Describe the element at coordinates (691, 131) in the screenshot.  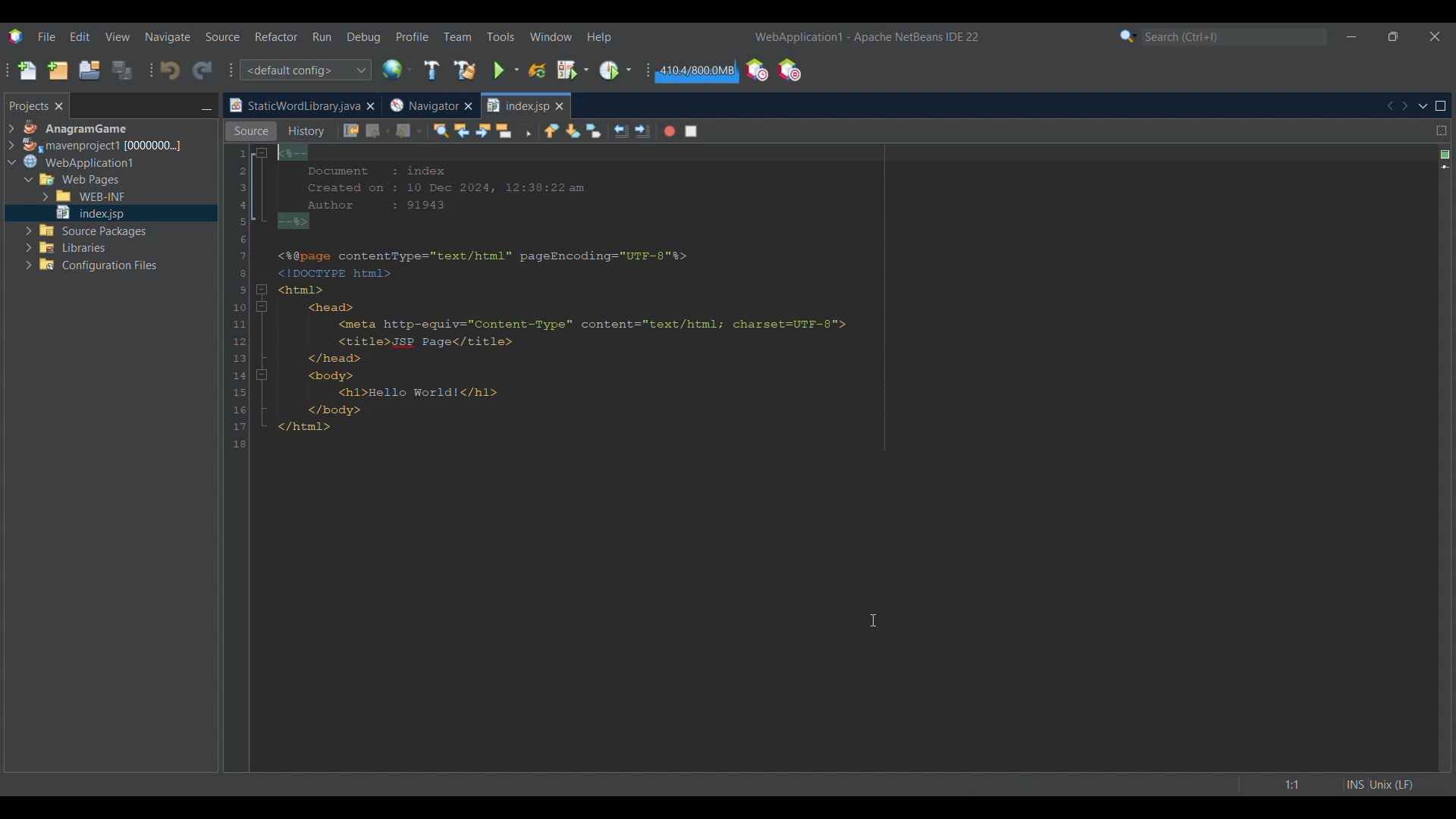
I see `Stop macro recording` at that location.